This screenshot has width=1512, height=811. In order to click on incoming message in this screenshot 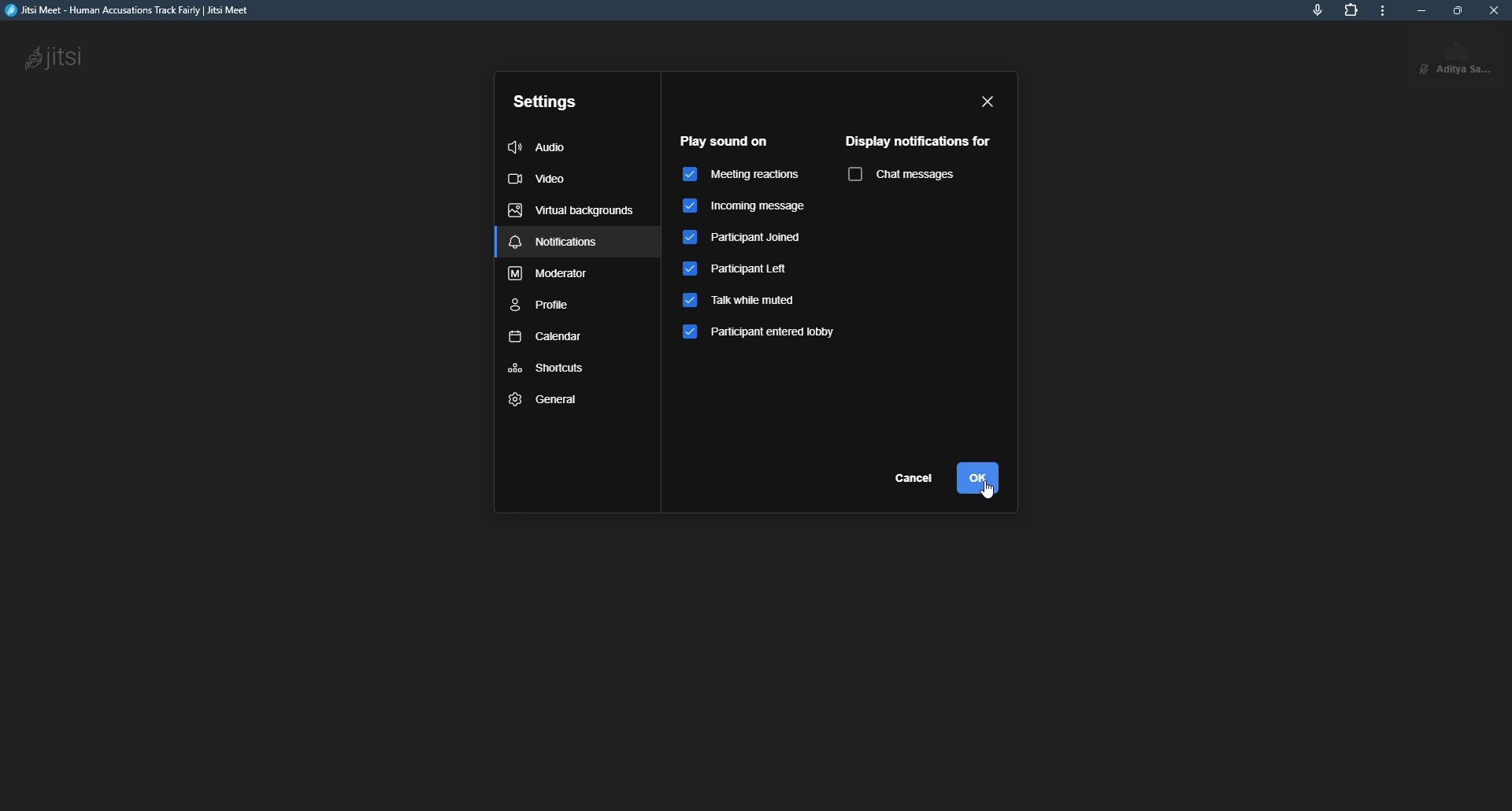, I will do `click(742, 206)`.